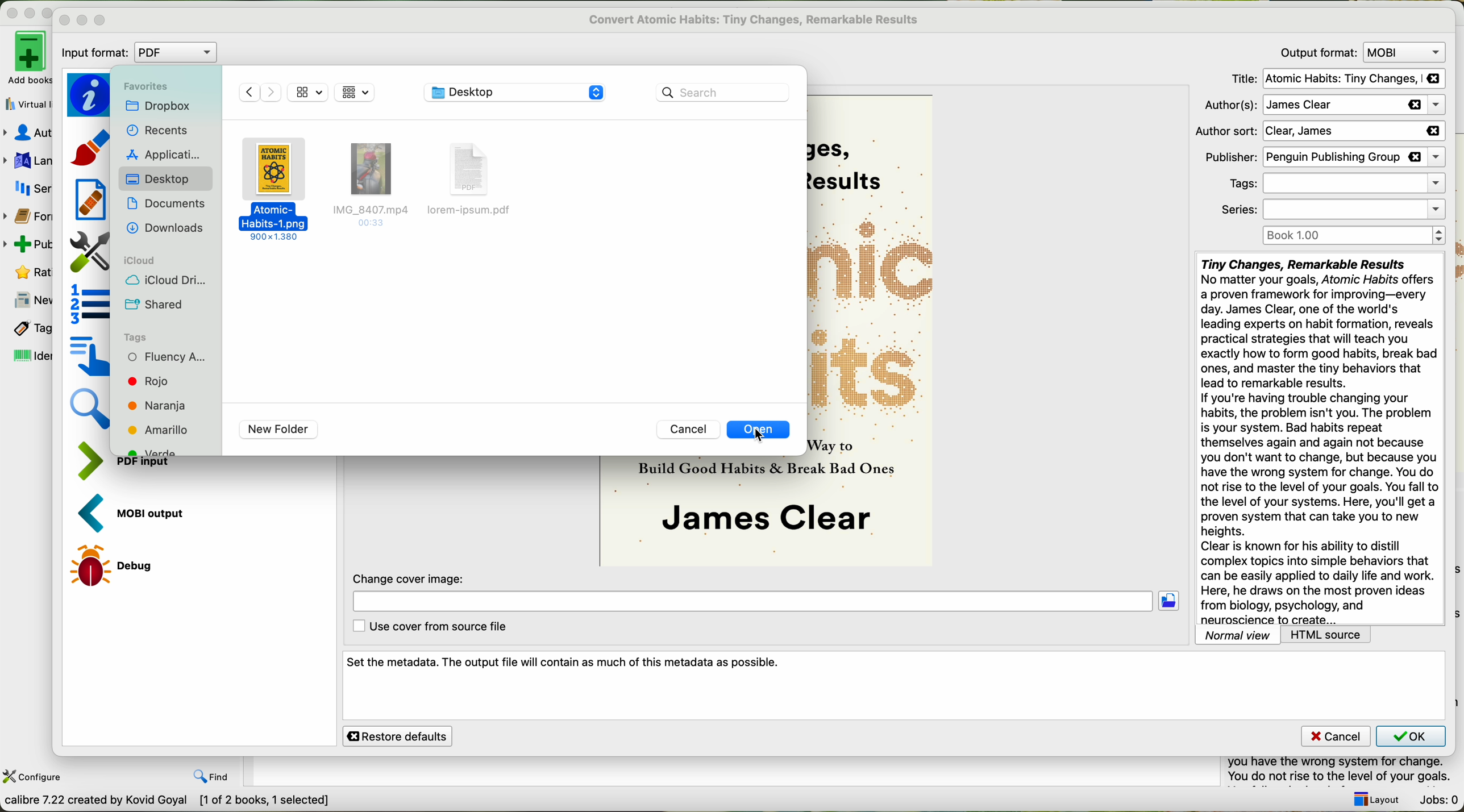 The image size is (1464, 812). I want to click on search bar, so click(724, 91).